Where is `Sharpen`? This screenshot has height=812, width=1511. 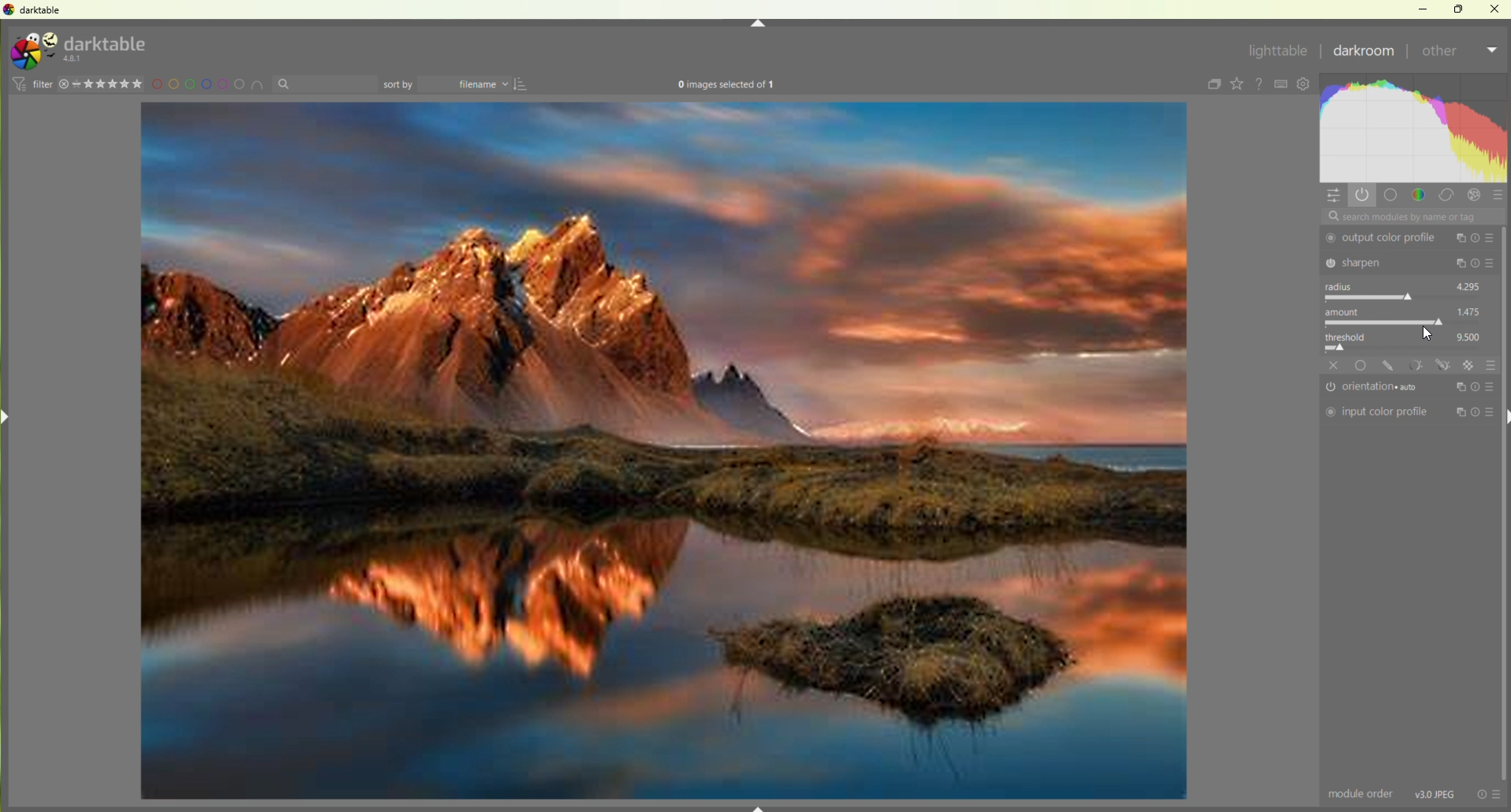 Sharpen is located at coordinates (1385, 262).